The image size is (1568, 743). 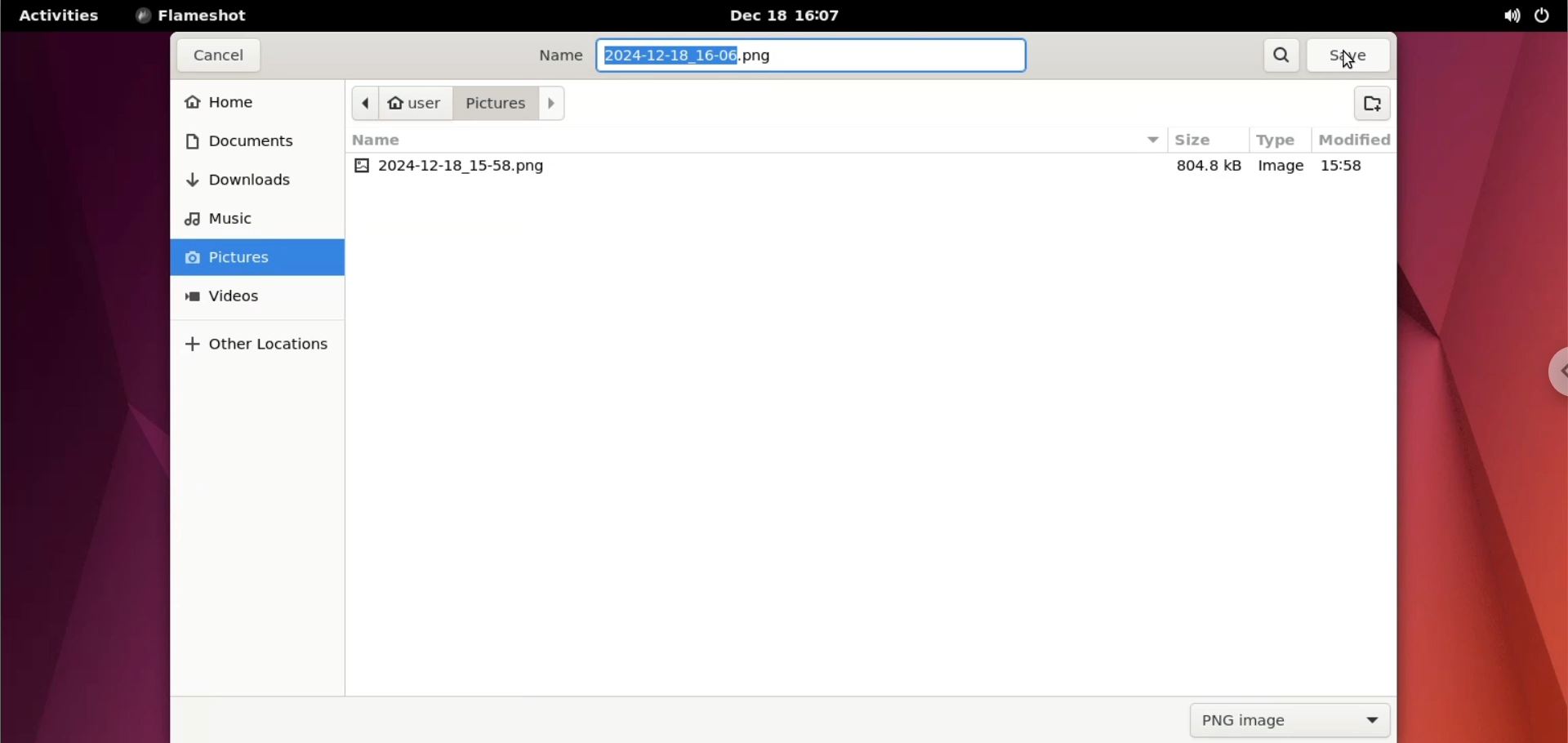 What do you see at coordinates (257, 259) in the screenshot?
I see `pictures` at bounding box center [257, 259].